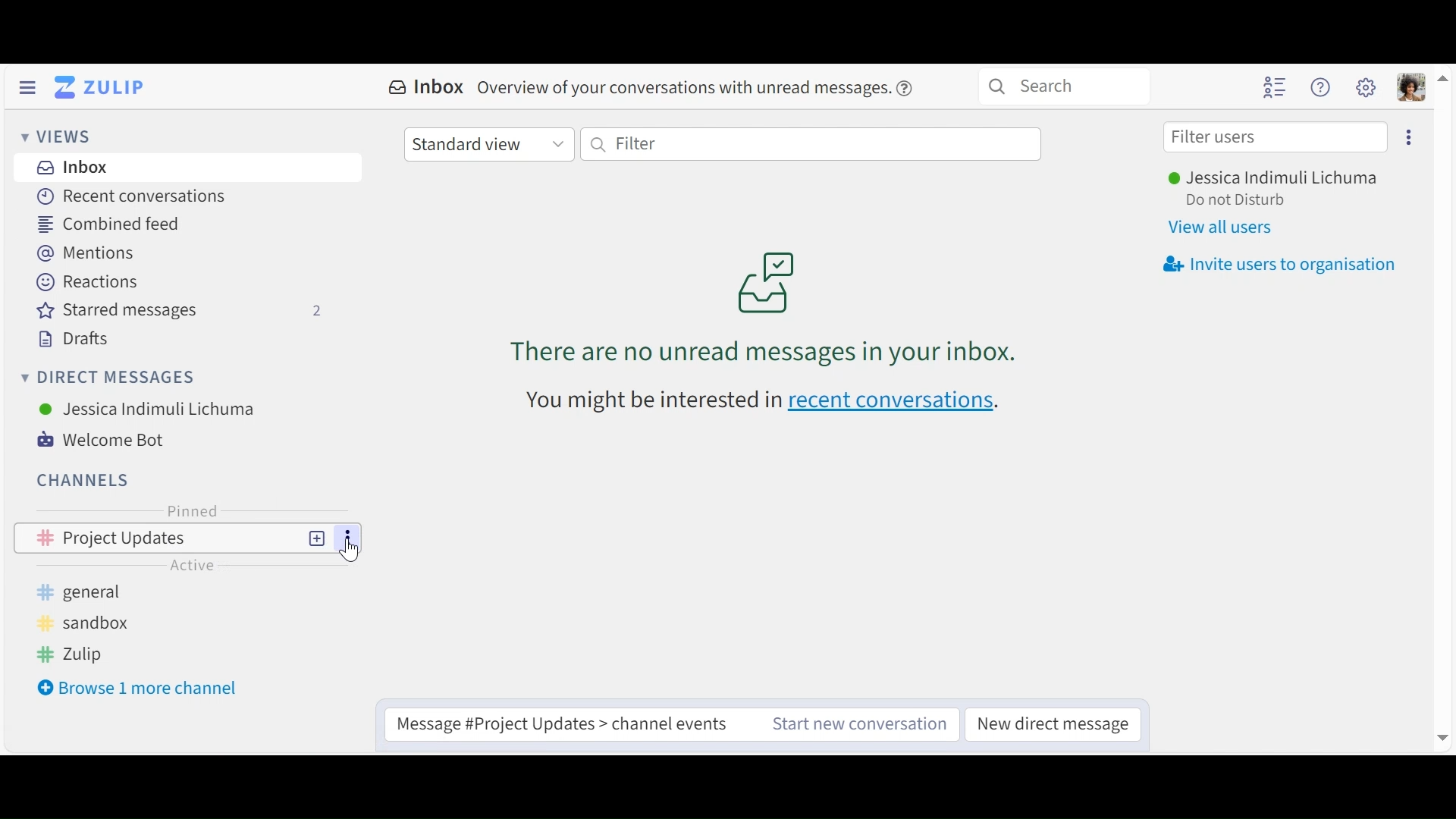 The height and width of the screenshot is (819, 1456). Describe the element at coordinates (354, 551) in the screenshot. I see `cursor` at that location.